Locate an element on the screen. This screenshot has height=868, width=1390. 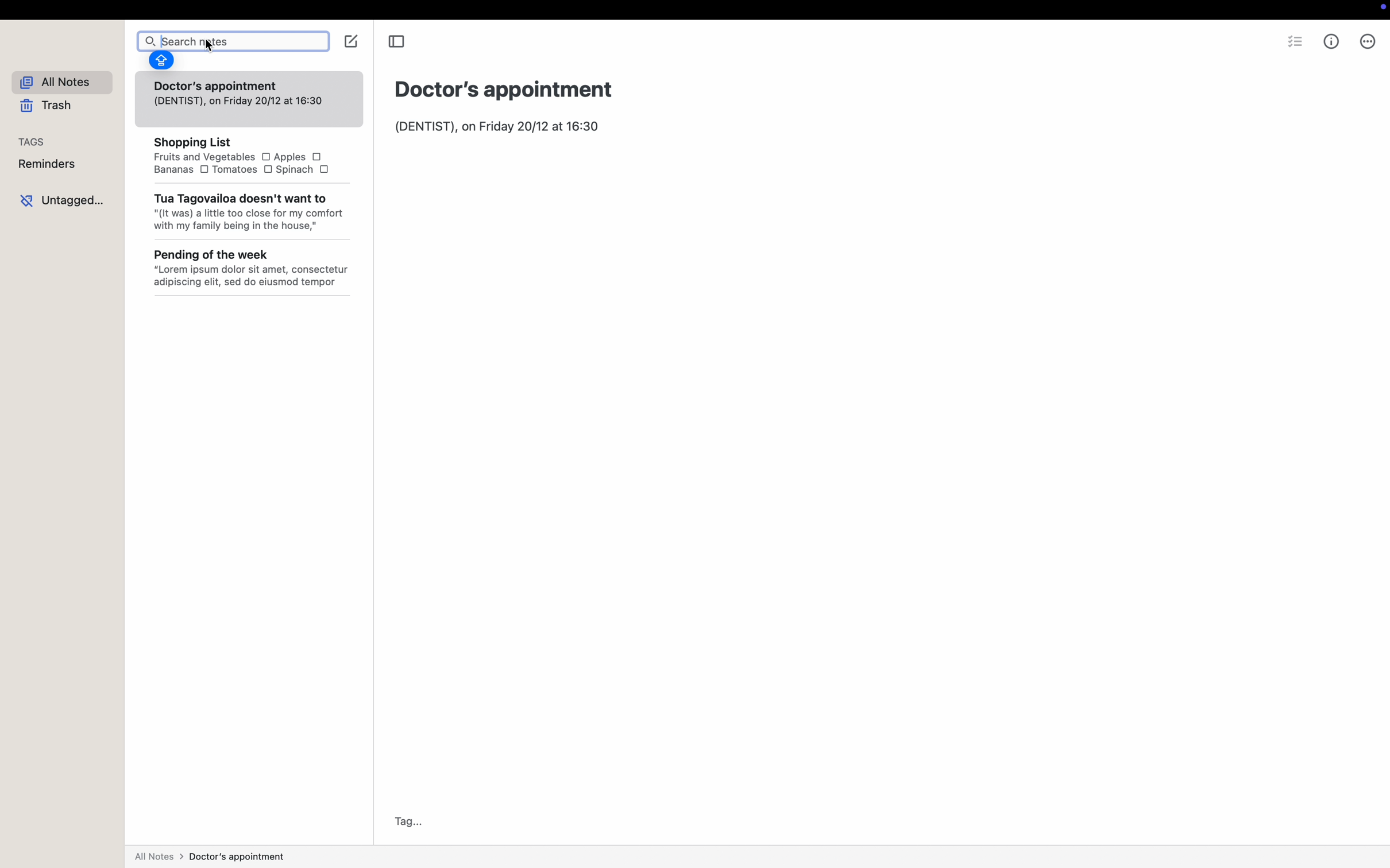
reminders is located at coordinates (47, 164).